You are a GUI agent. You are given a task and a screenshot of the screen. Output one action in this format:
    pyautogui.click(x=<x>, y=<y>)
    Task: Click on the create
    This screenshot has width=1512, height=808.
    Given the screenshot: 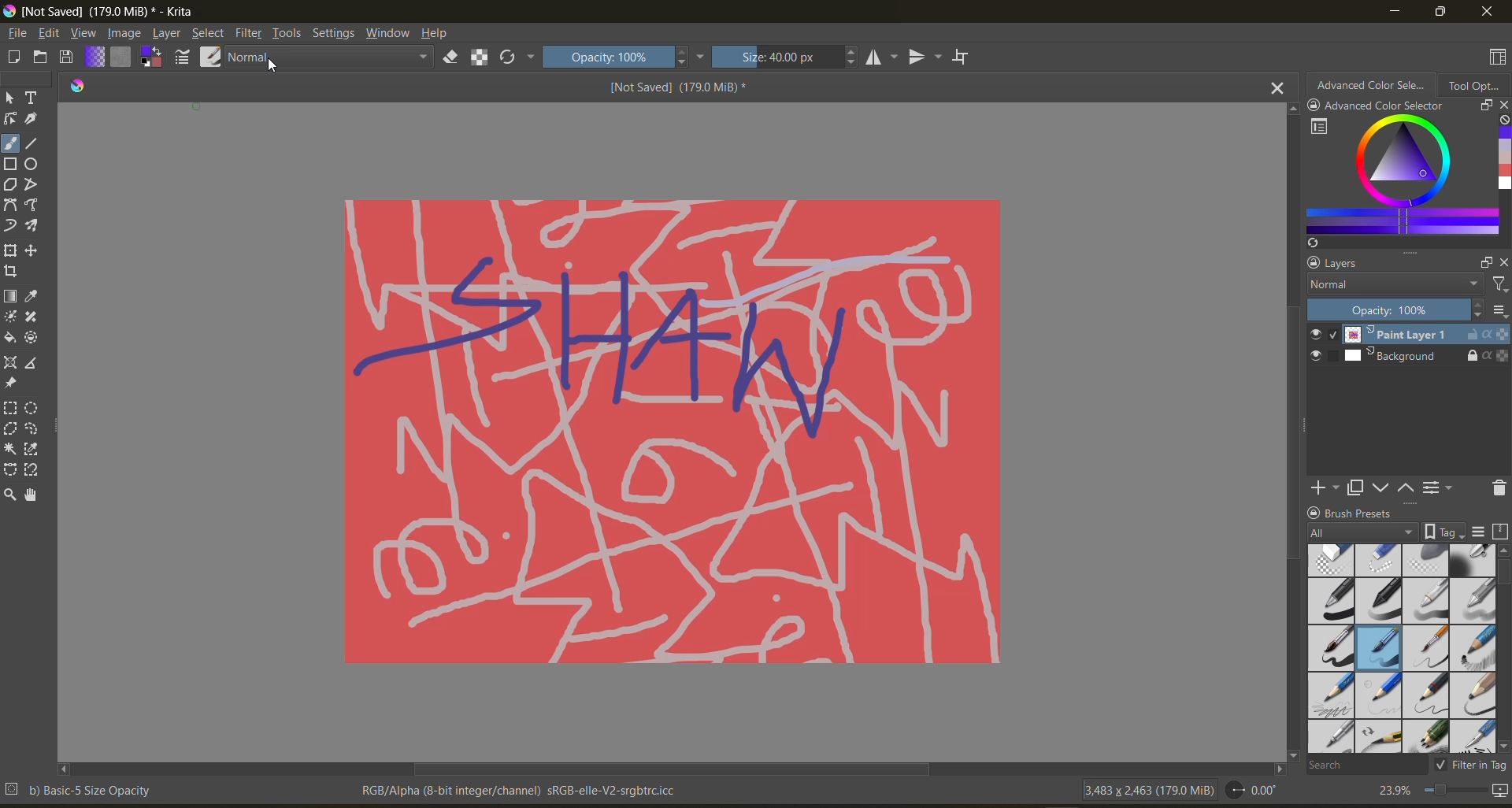 What is the action you would take?
    pyautogui.click(x=13, y=56)
    